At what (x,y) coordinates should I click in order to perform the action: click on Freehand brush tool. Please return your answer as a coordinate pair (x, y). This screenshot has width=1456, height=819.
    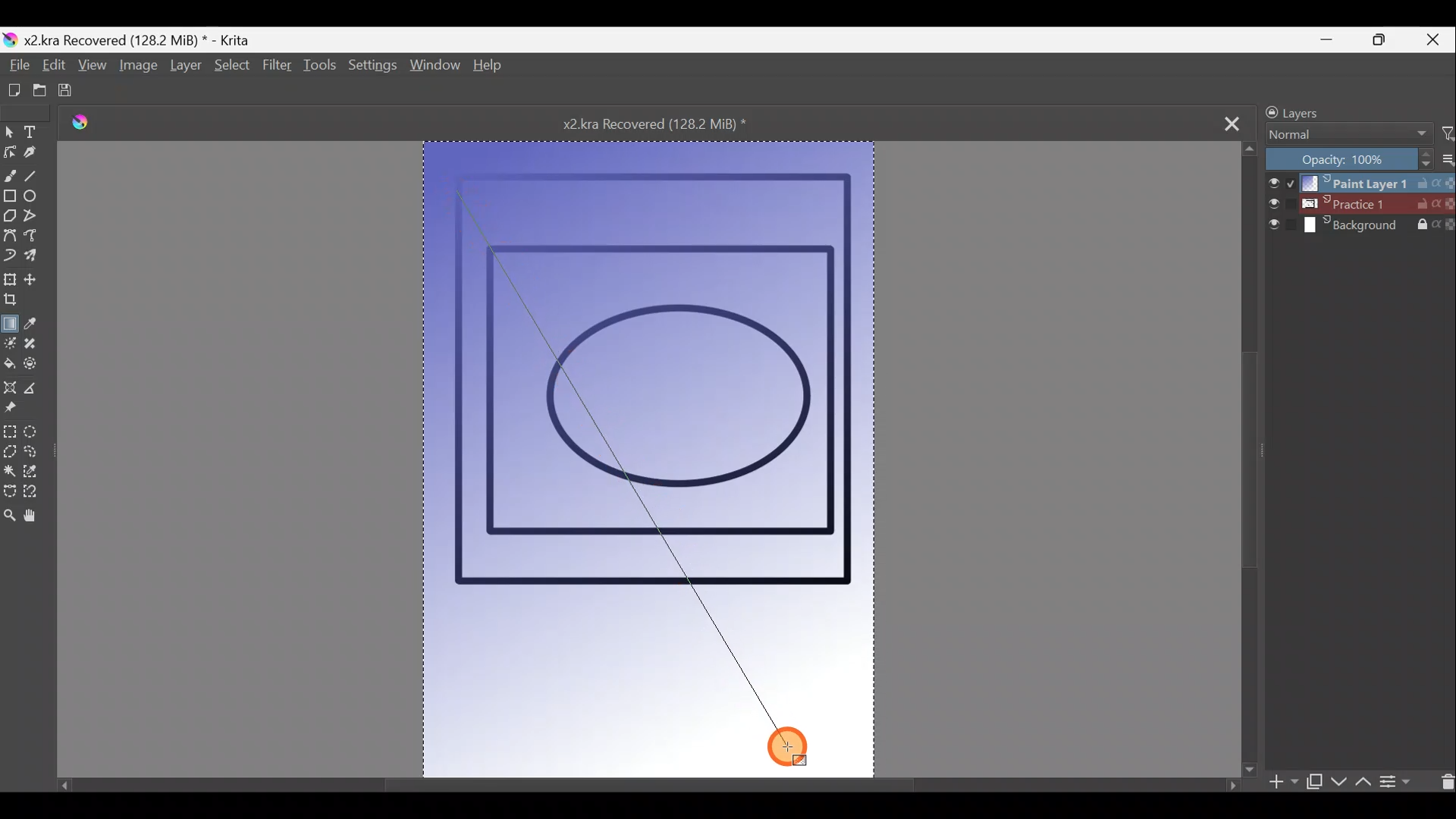
    Looking at the image, I should click on (10, 175).